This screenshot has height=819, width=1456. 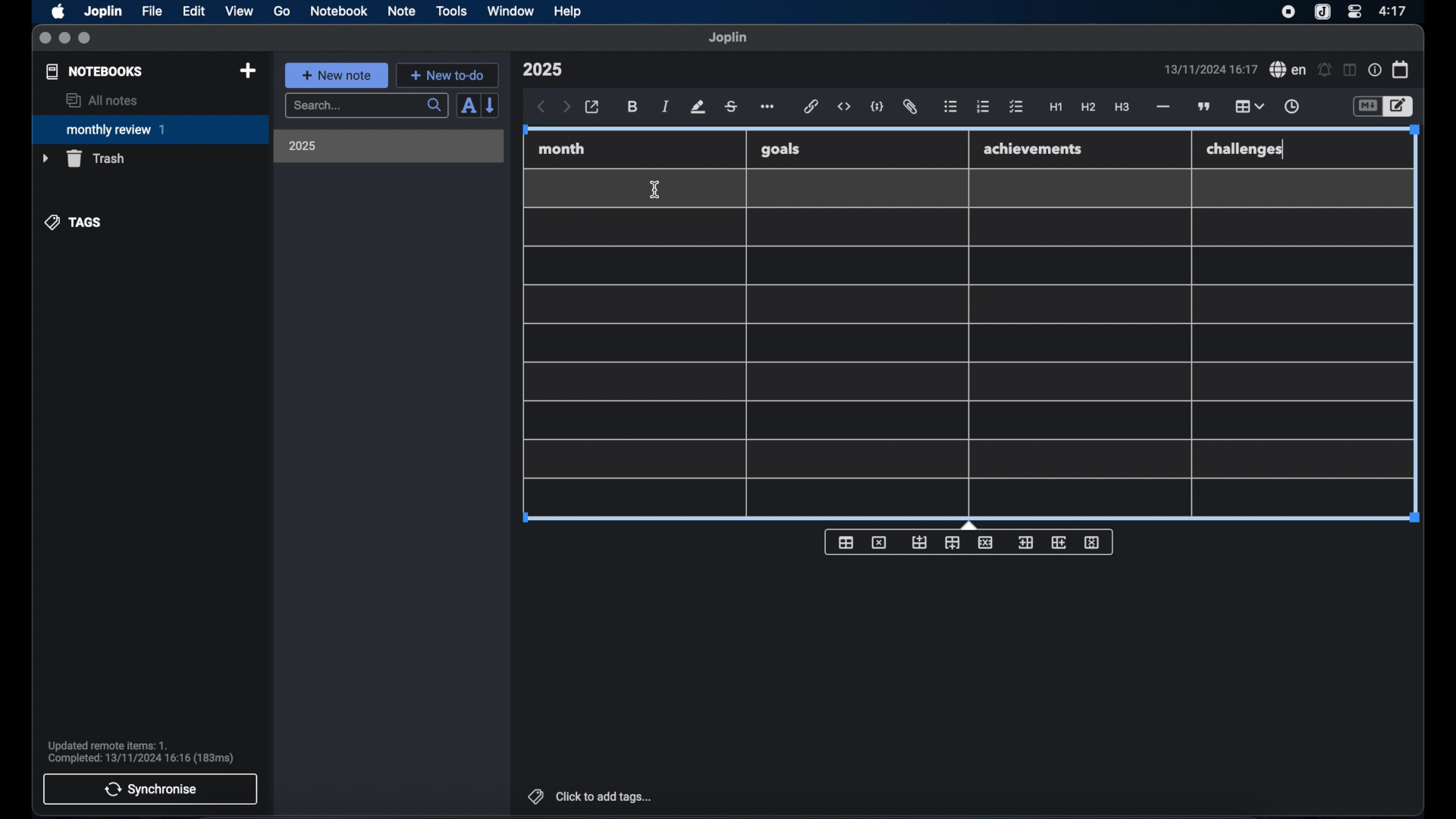 I want to click on monthly review, so click(x=150, y=128).